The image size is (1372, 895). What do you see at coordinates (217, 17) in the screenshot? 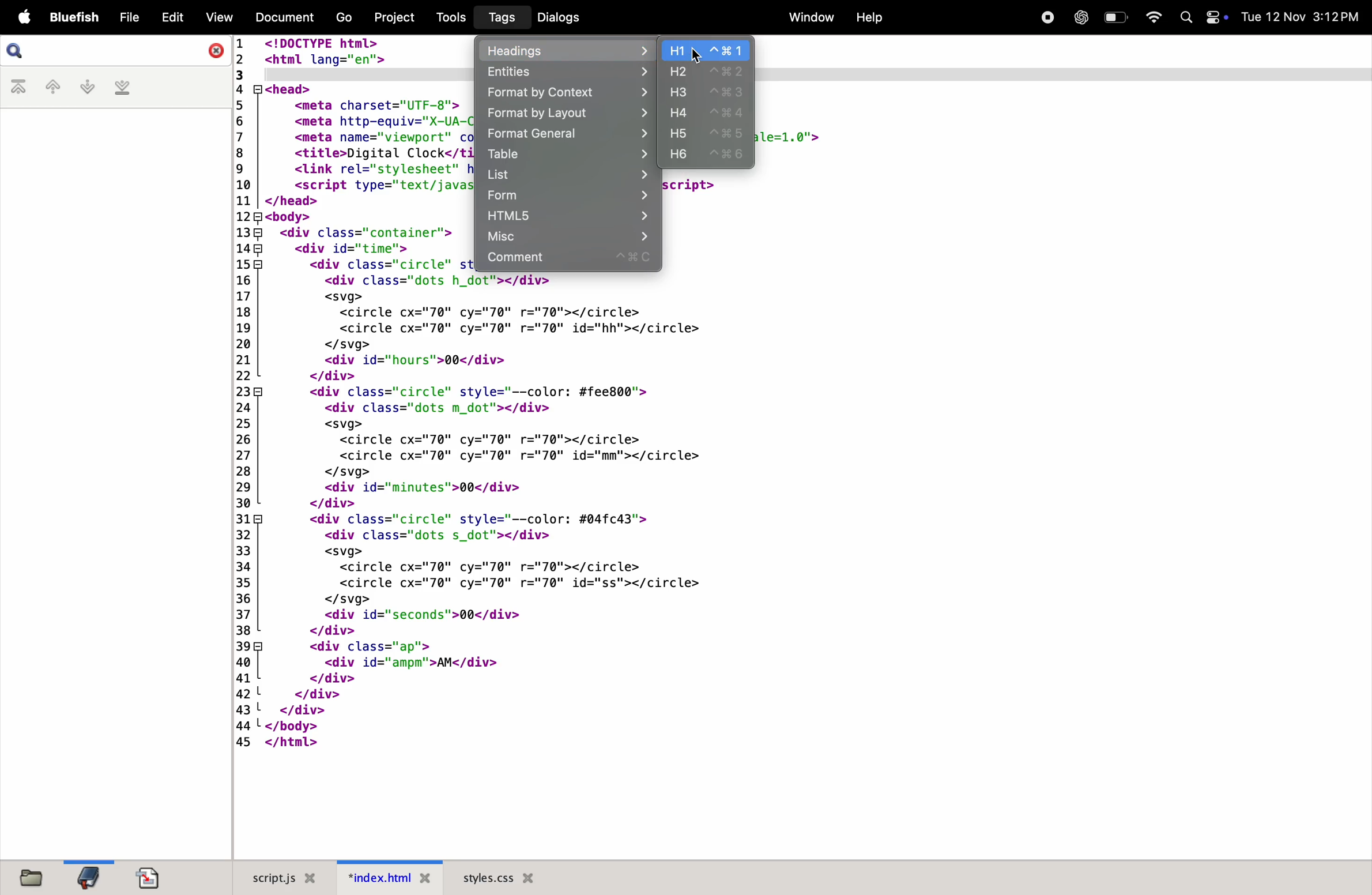
I see `view` at bounding box center [217, 17].